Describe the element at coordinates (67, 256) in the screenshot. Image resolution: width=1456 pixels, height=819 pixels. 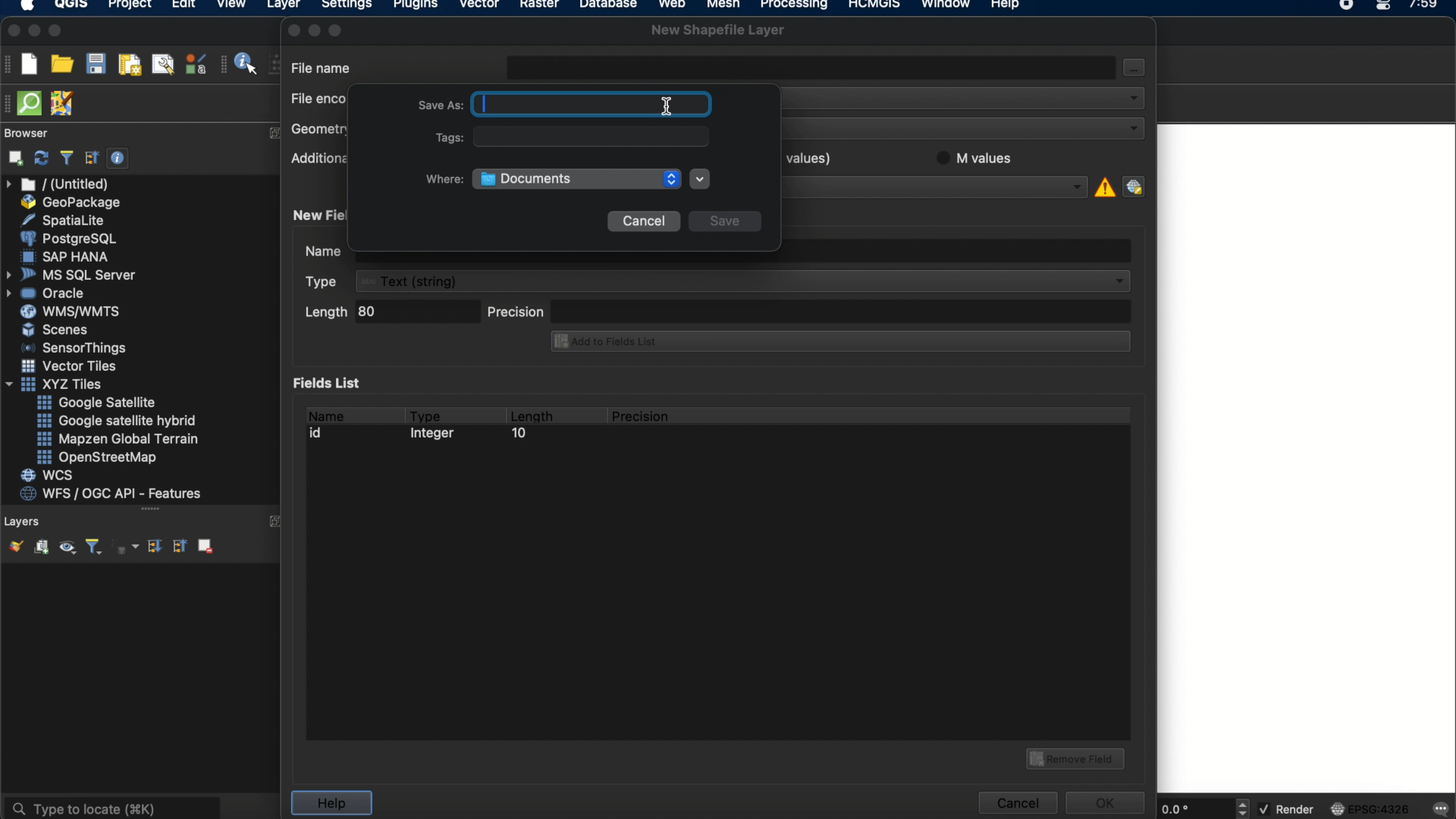
I see `sap hana` at that location.